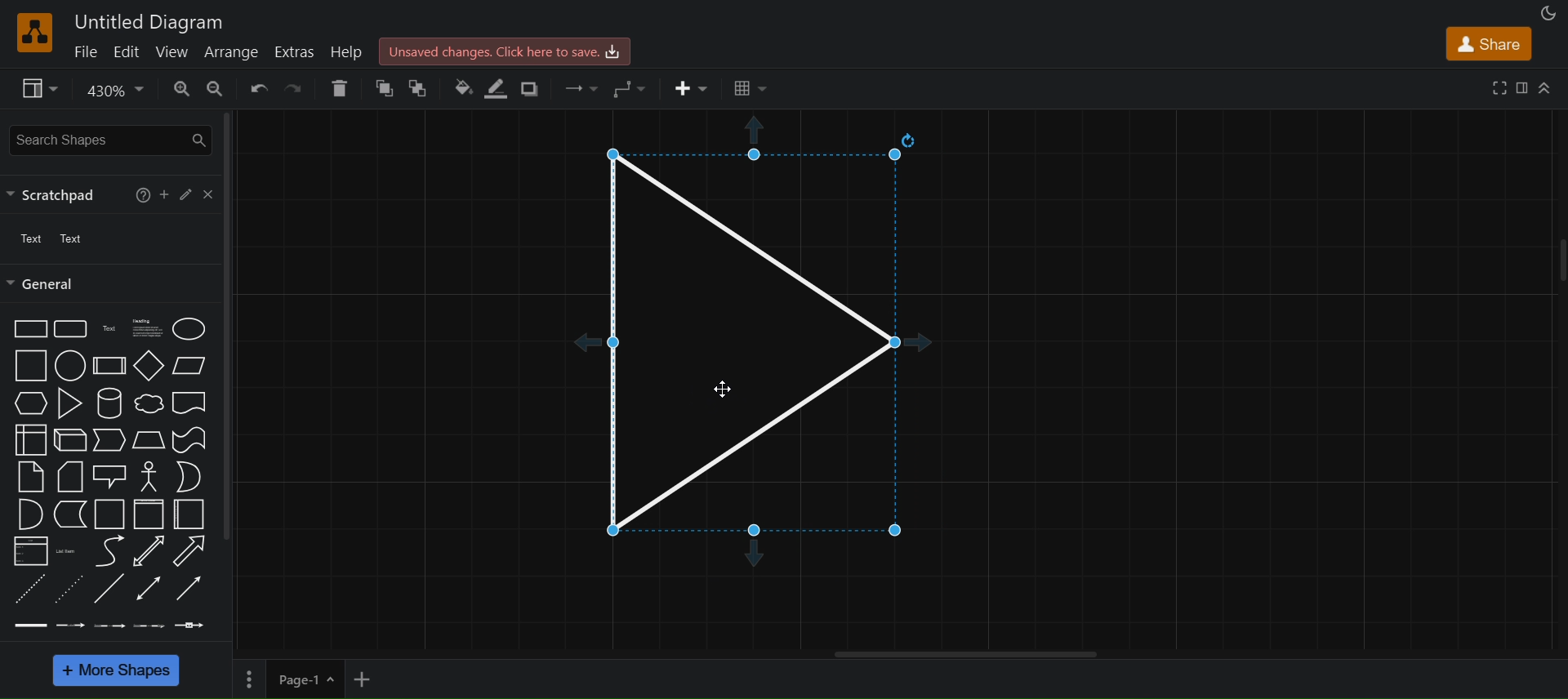 This screenshot has height=699, width=1568. I want to click on line color, so click(497, 88).